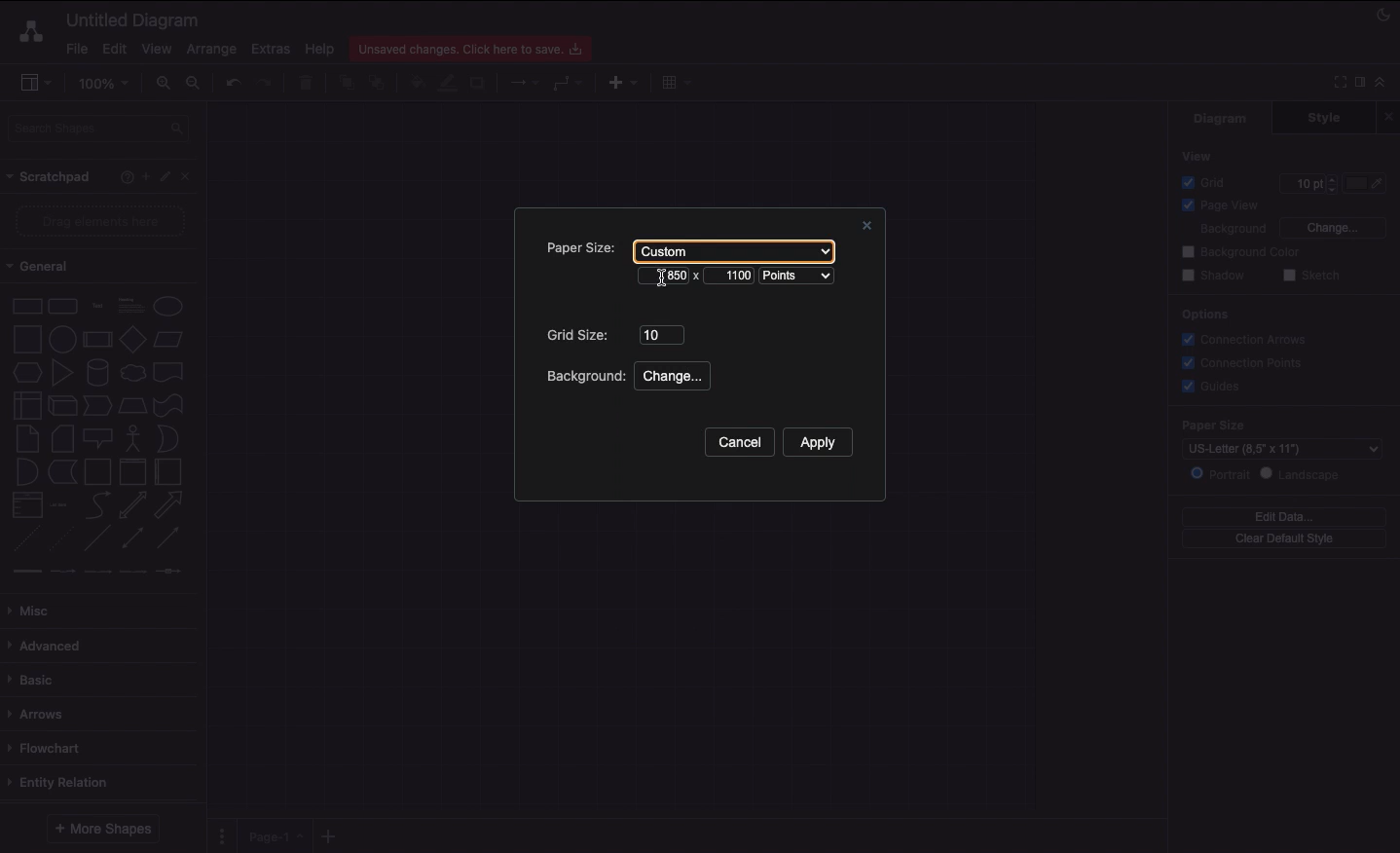 This screenshot has height=853, width=1400. I want to click on Data storage, so click(62, 473).